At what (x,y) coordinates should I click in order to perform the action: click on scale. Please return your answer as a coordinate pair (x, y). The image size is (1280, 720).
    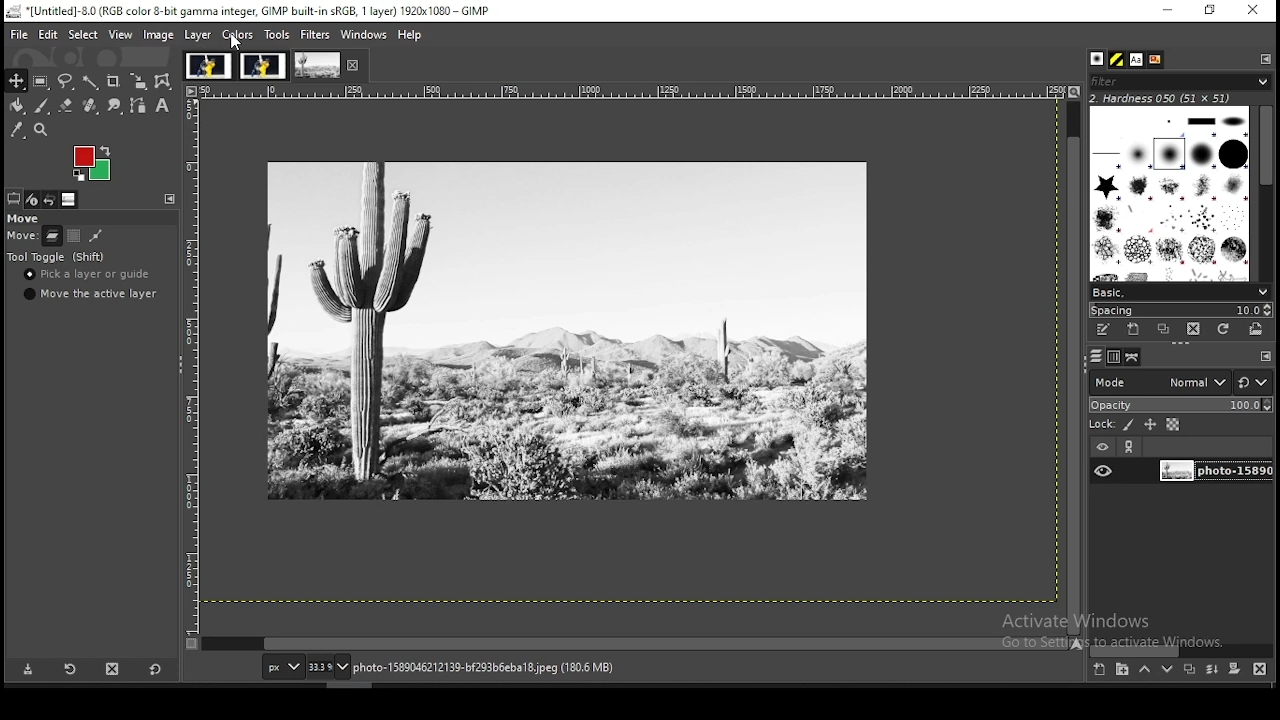
    Looking at the image, I should click on (189, 359).